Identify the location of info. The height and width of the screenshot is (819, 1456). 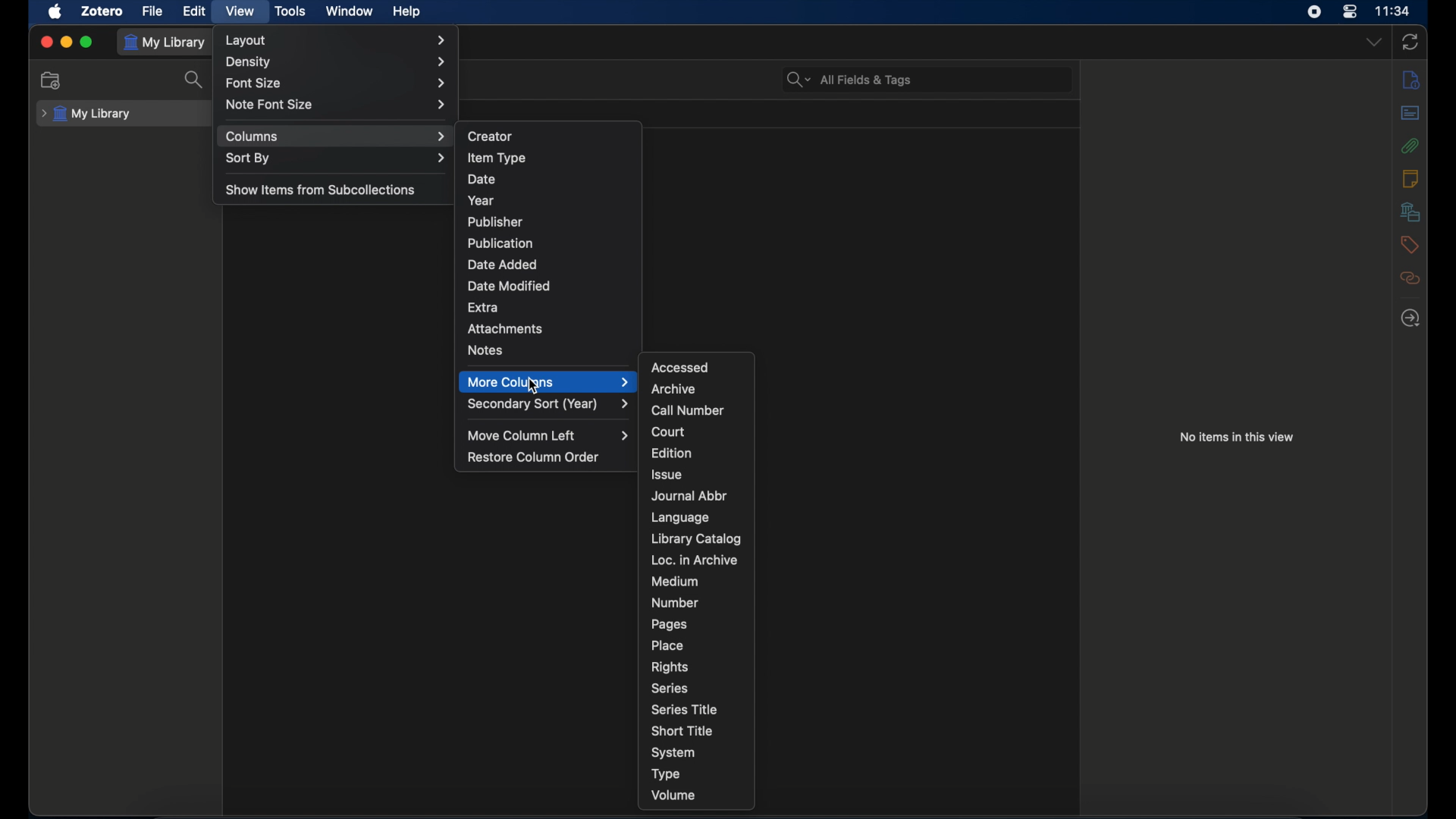
(1411, 80).